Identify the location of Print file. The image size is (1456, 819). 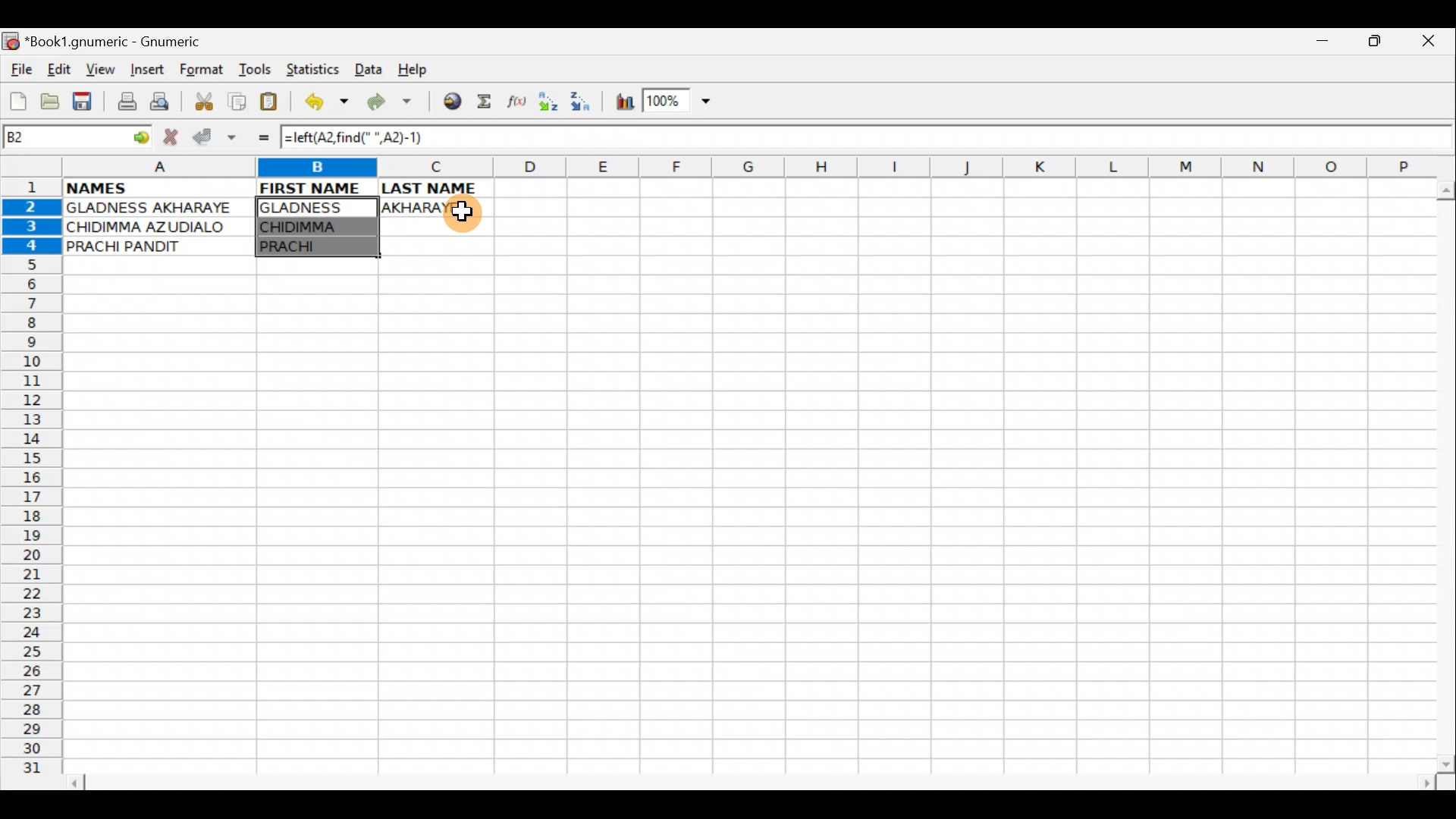
(123, 103).